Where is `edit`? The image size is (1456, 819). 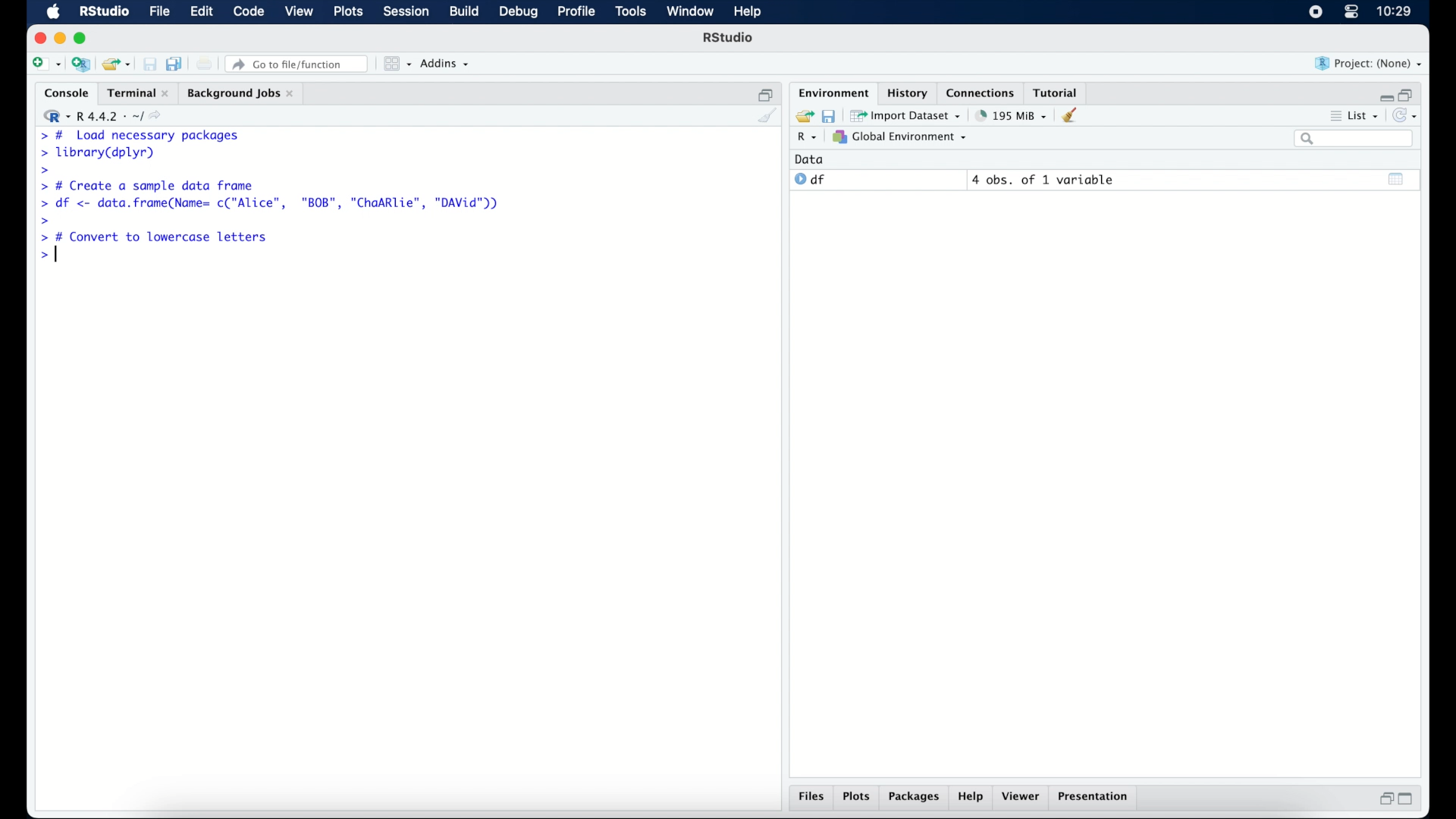 edit is located at coordinates (200, 12).